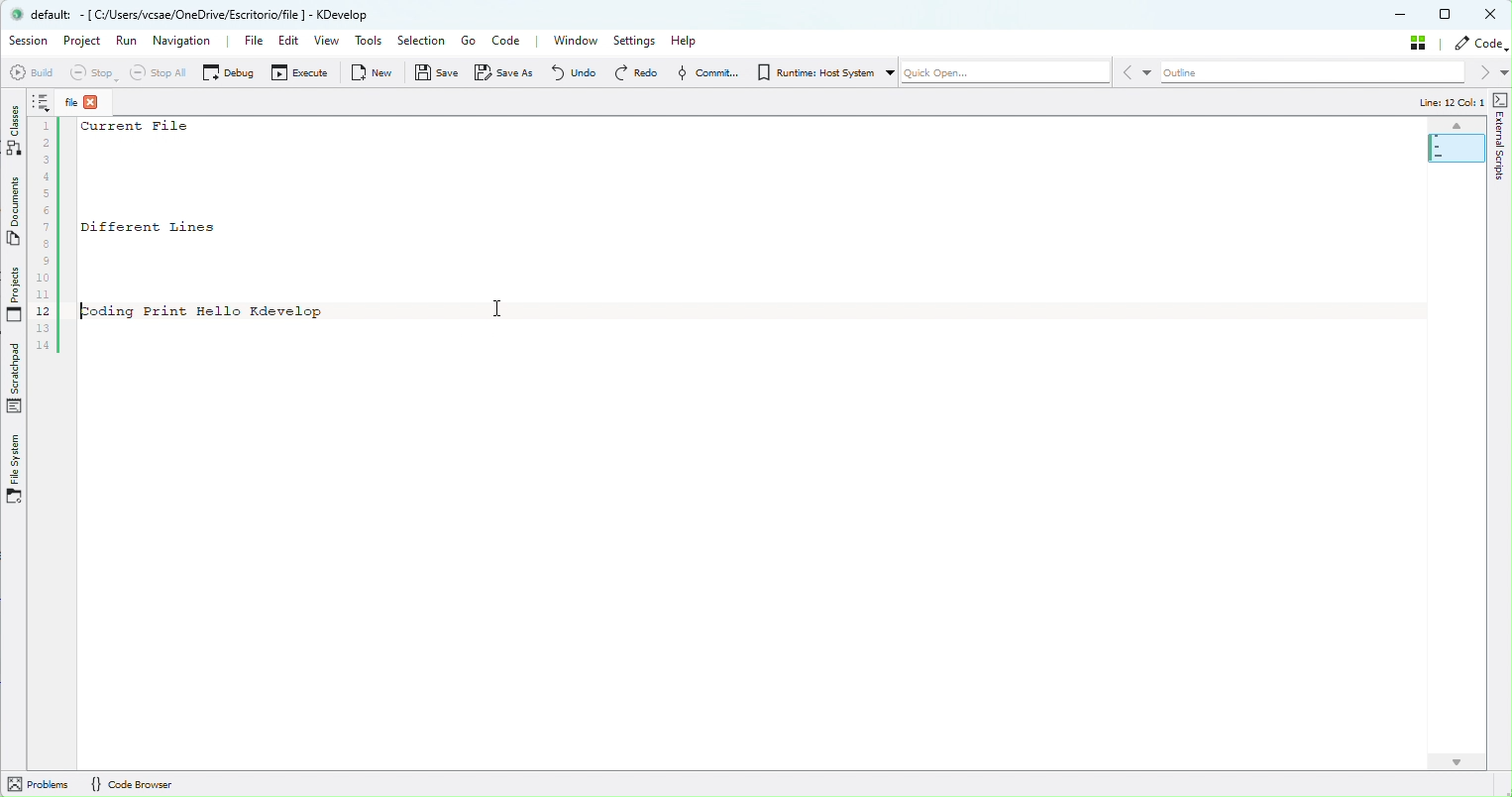  What do you see at coordinates (807, 75) in the screenshot?
I see `Runtime` at bounding box center [807, 75].